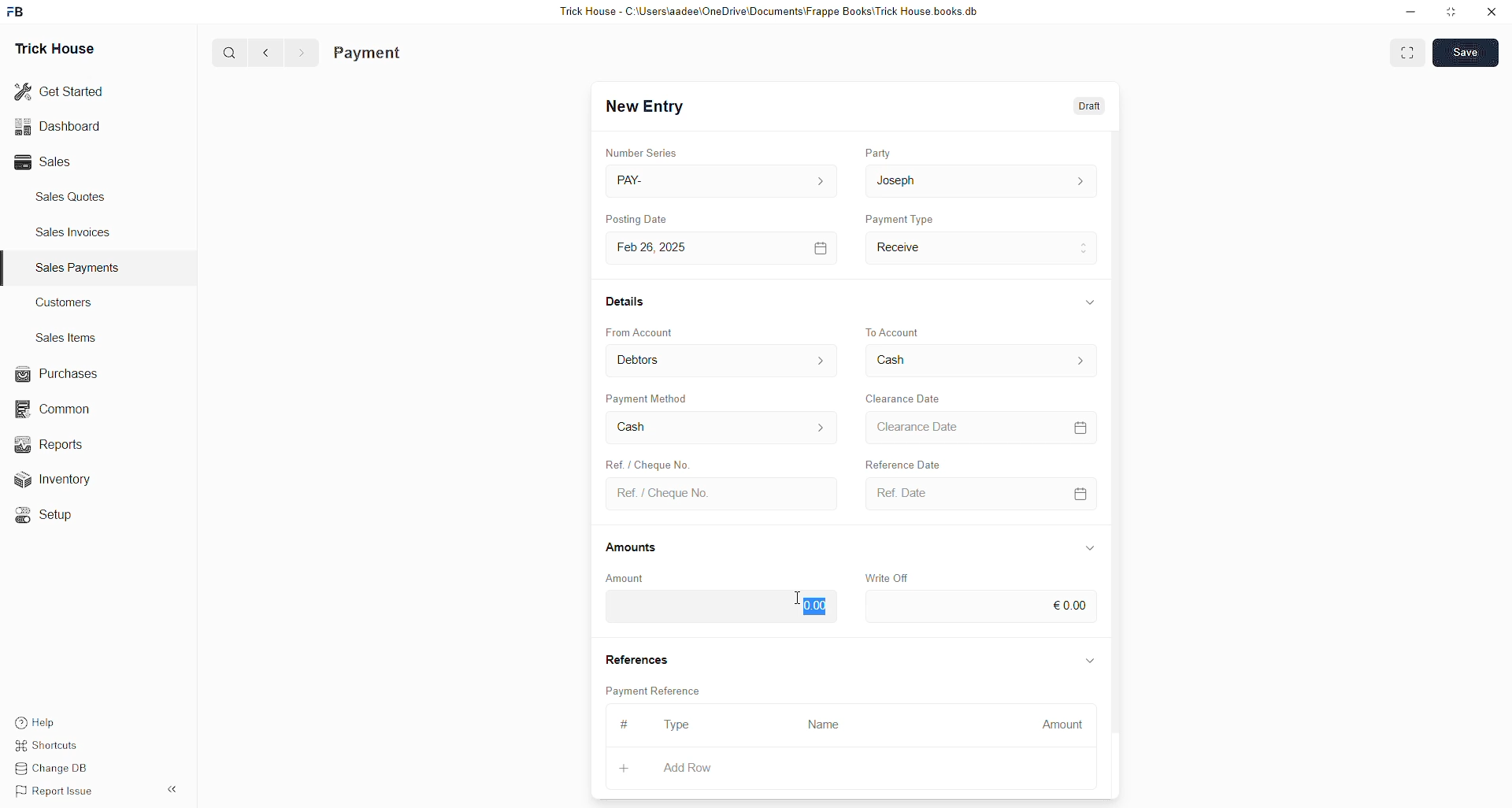 The height and width of the screenshot is (808, 1512). Describe the element at coordinates (656, 689) in the screenshot. I see `Payment Reference` at that location.